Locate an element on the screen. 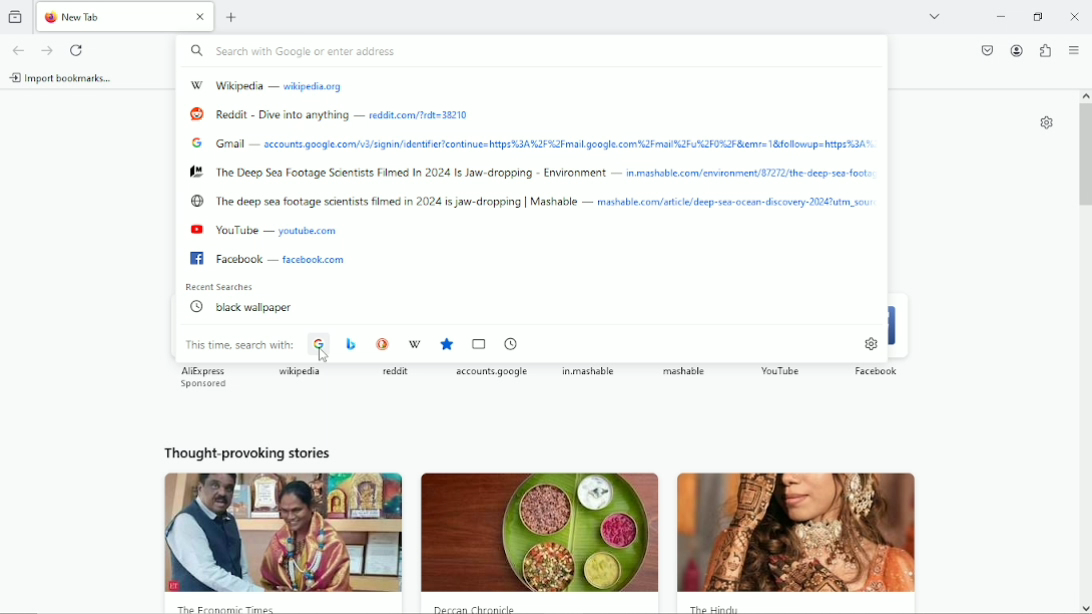  mashable logo is located at coordinates (197, 172).